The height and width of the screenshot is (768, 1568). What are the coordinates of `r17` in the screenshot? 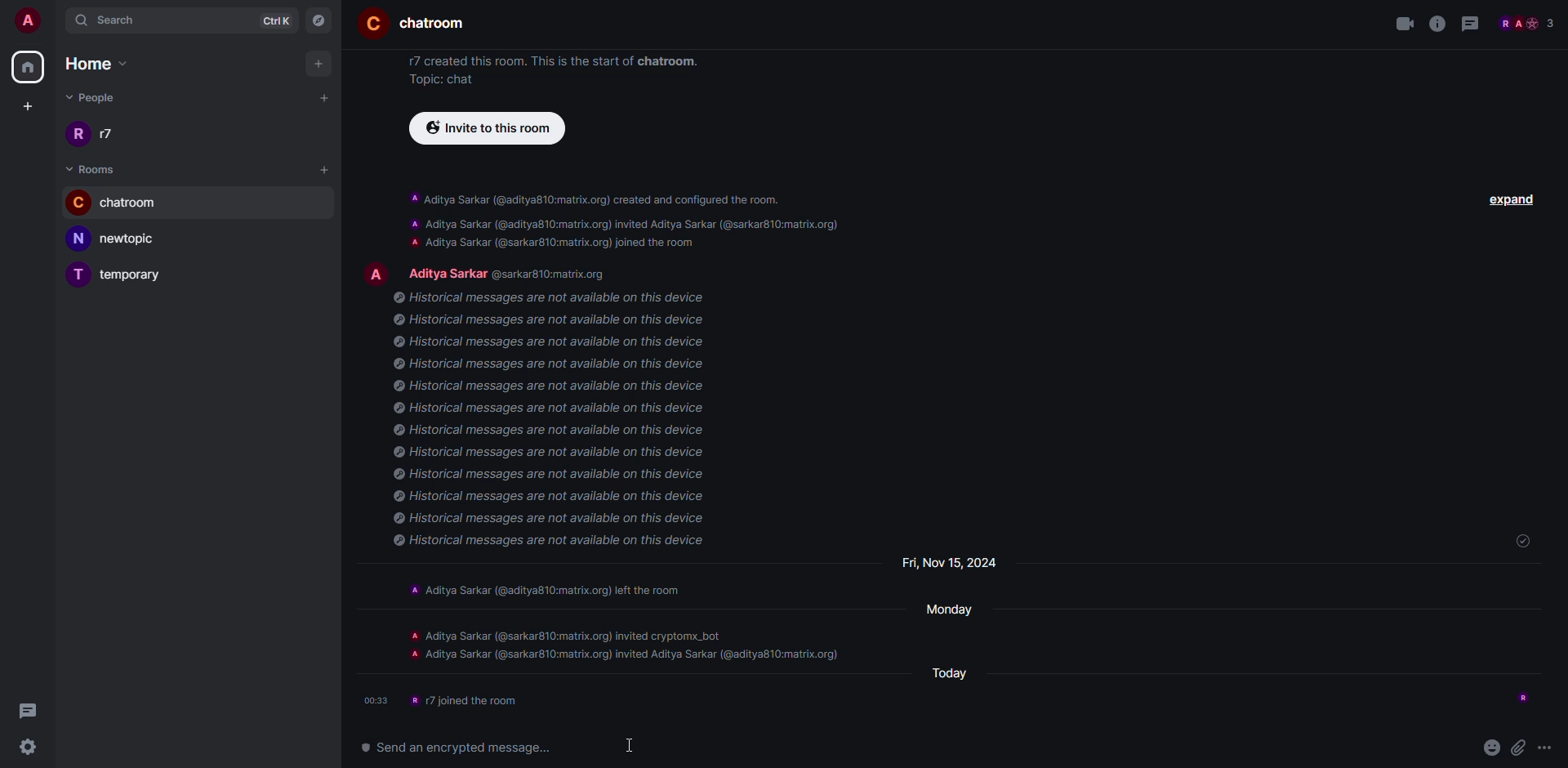 It's located at (93, 132).